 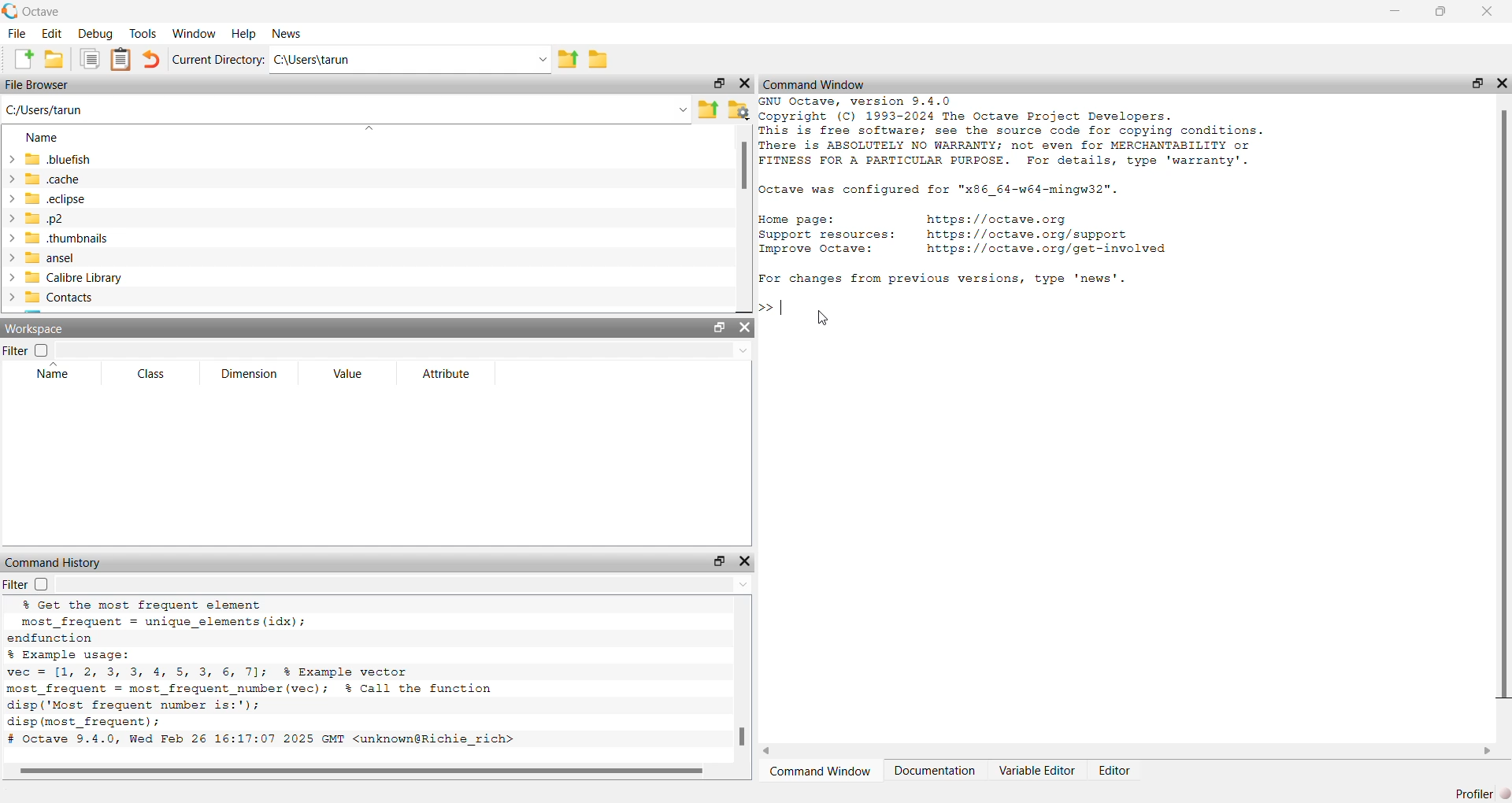 I want to click on Command History, so click(x=54, y=562).